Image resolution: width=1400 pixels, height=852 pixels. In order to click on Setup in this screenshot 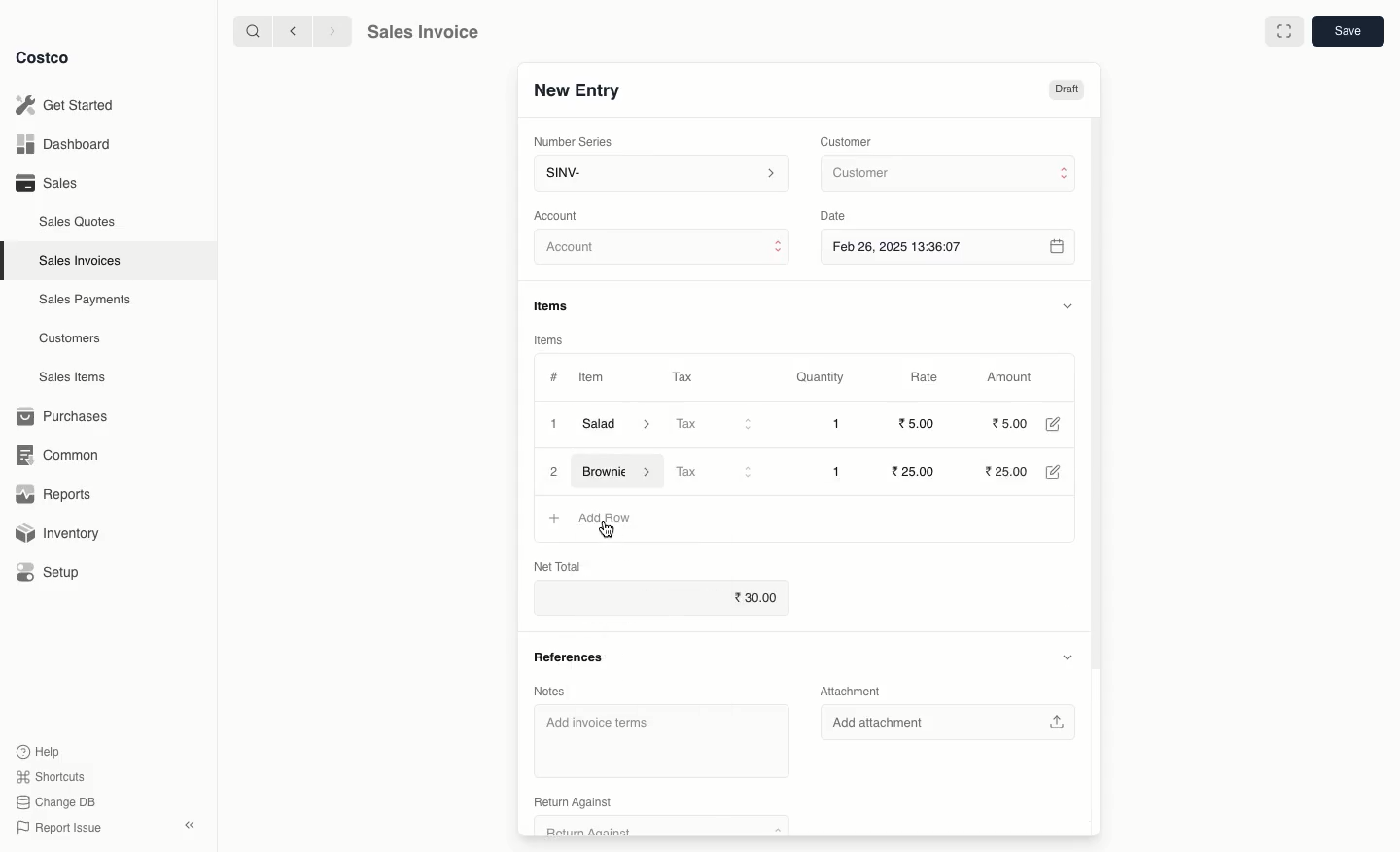, I will do `click(55, 572)`.